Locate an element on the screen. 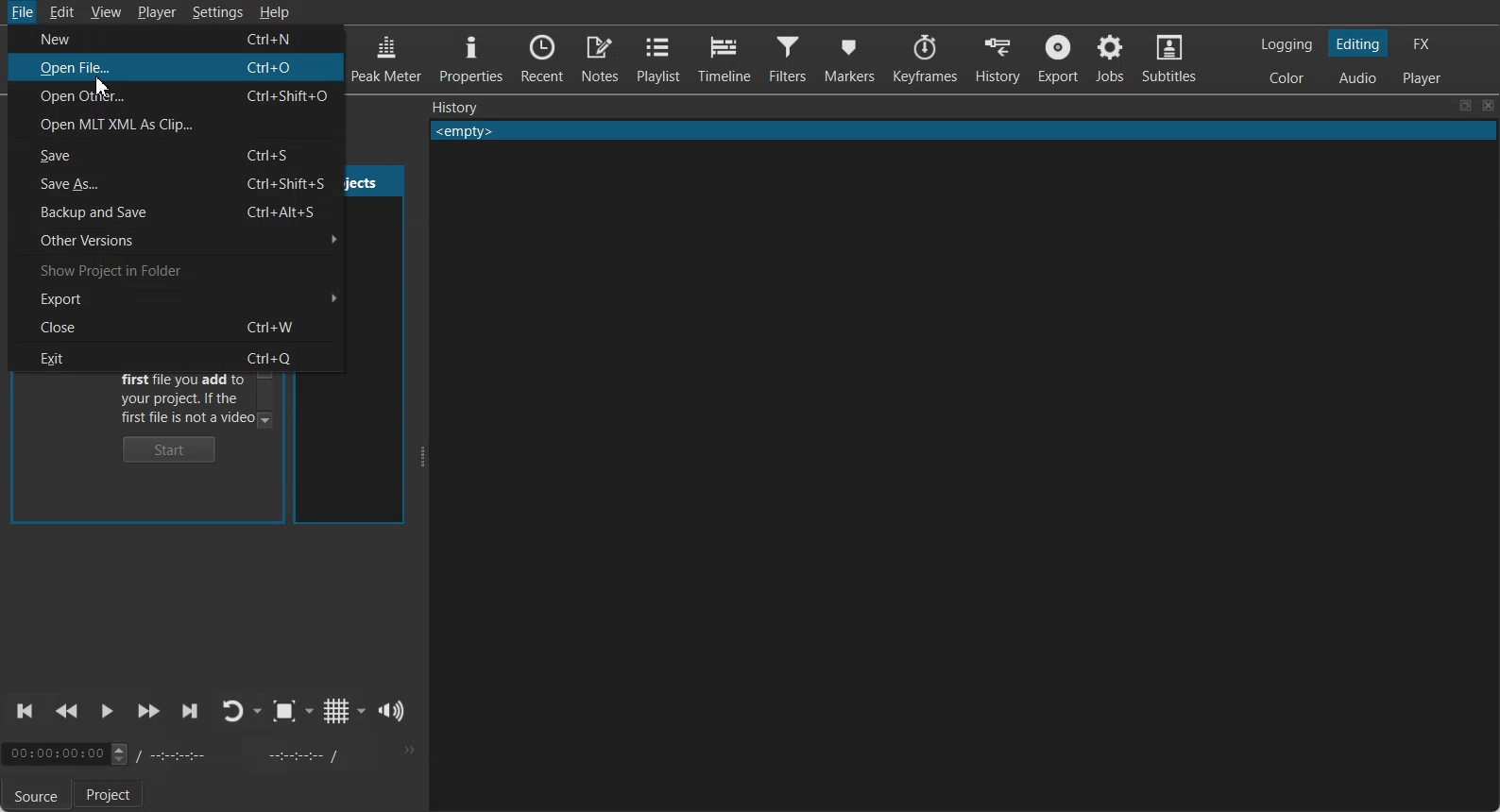 The width and height of the screenshot is (1500, 812). Recording time is located at coordinates (244, 754).